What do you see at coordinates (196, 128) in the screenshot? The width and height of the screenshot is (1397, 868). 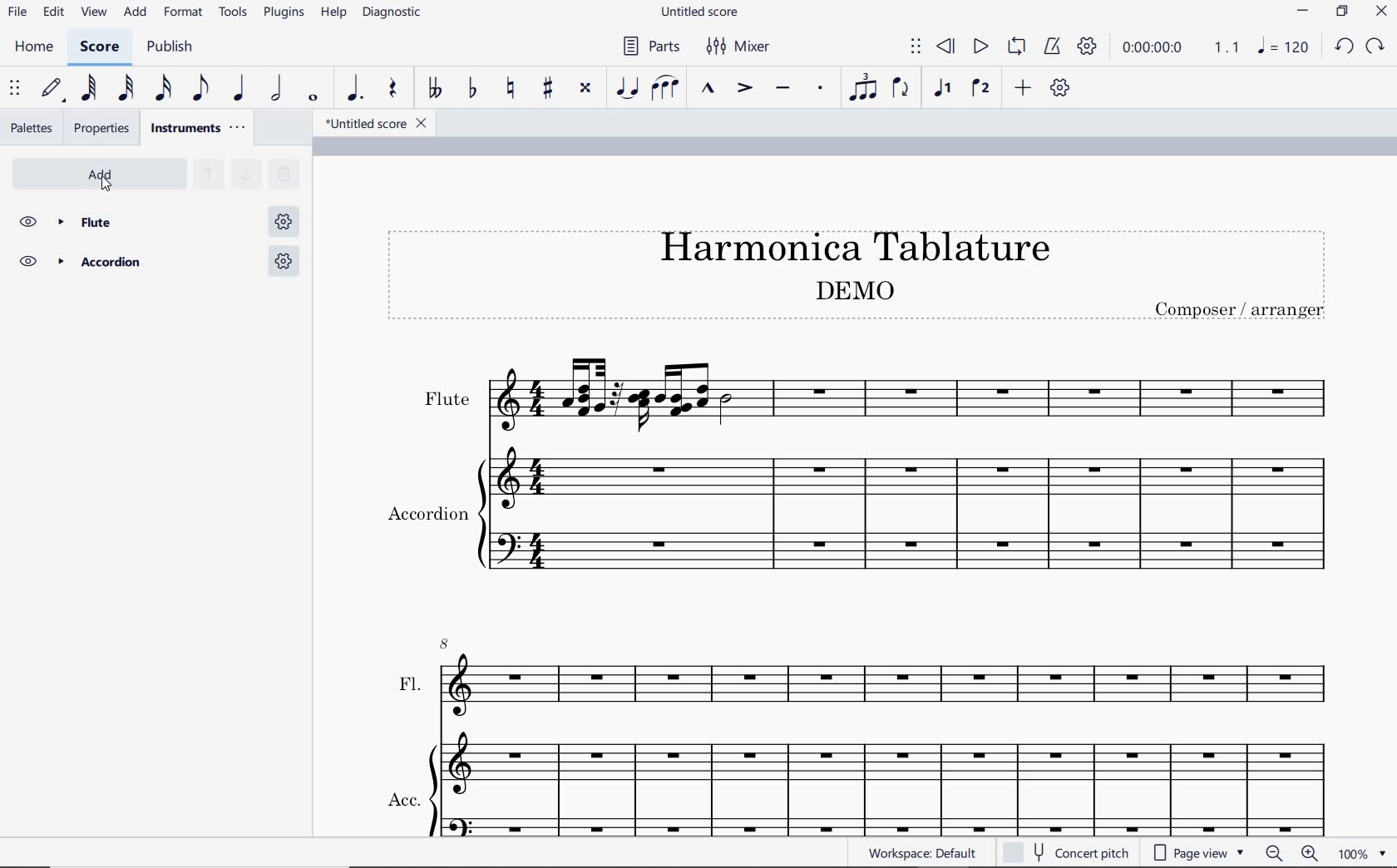 I see `instruments` at bounding box center [196, 128].